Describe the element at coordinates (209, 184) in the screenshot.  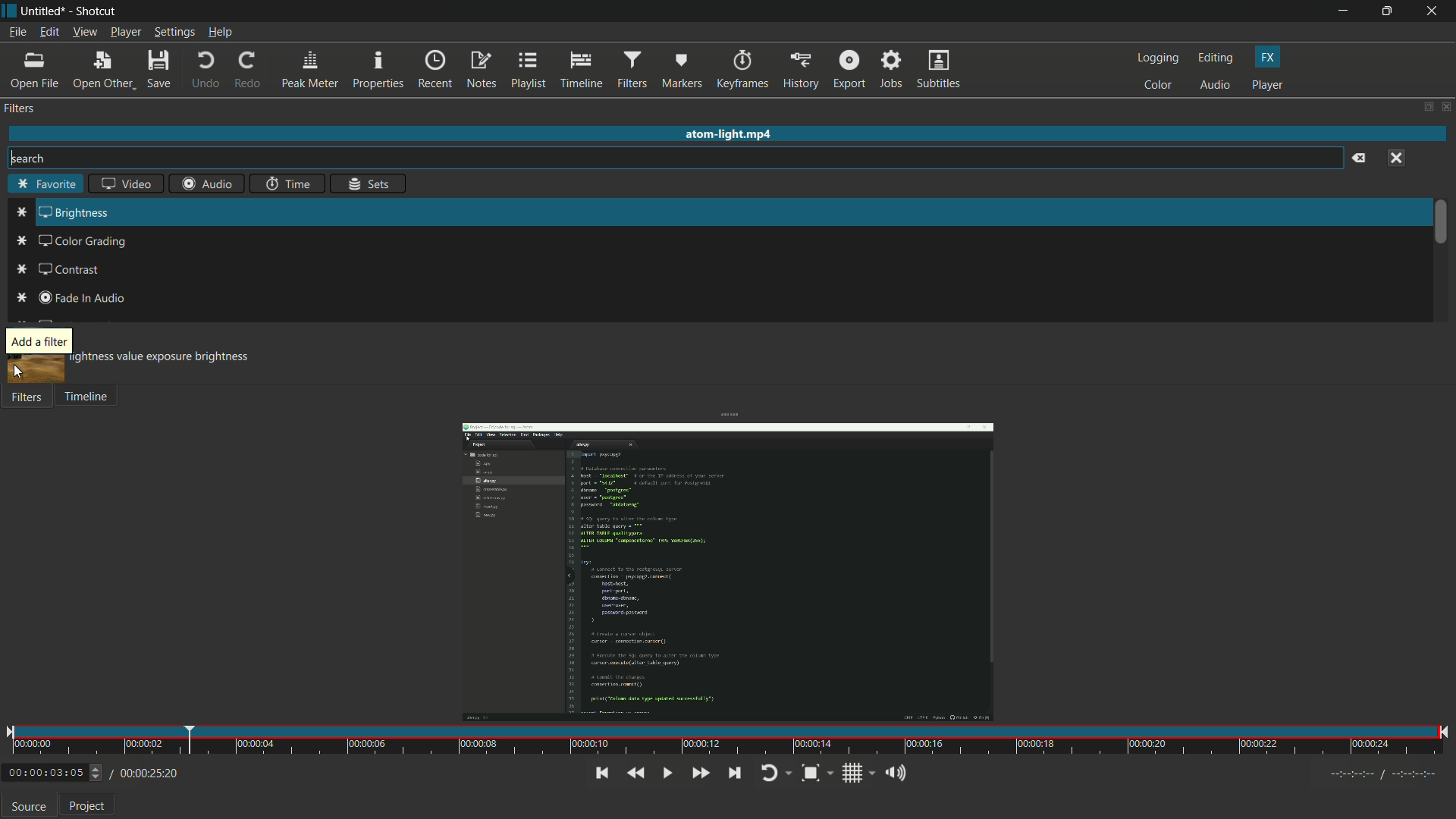
I see `audio` at that location.